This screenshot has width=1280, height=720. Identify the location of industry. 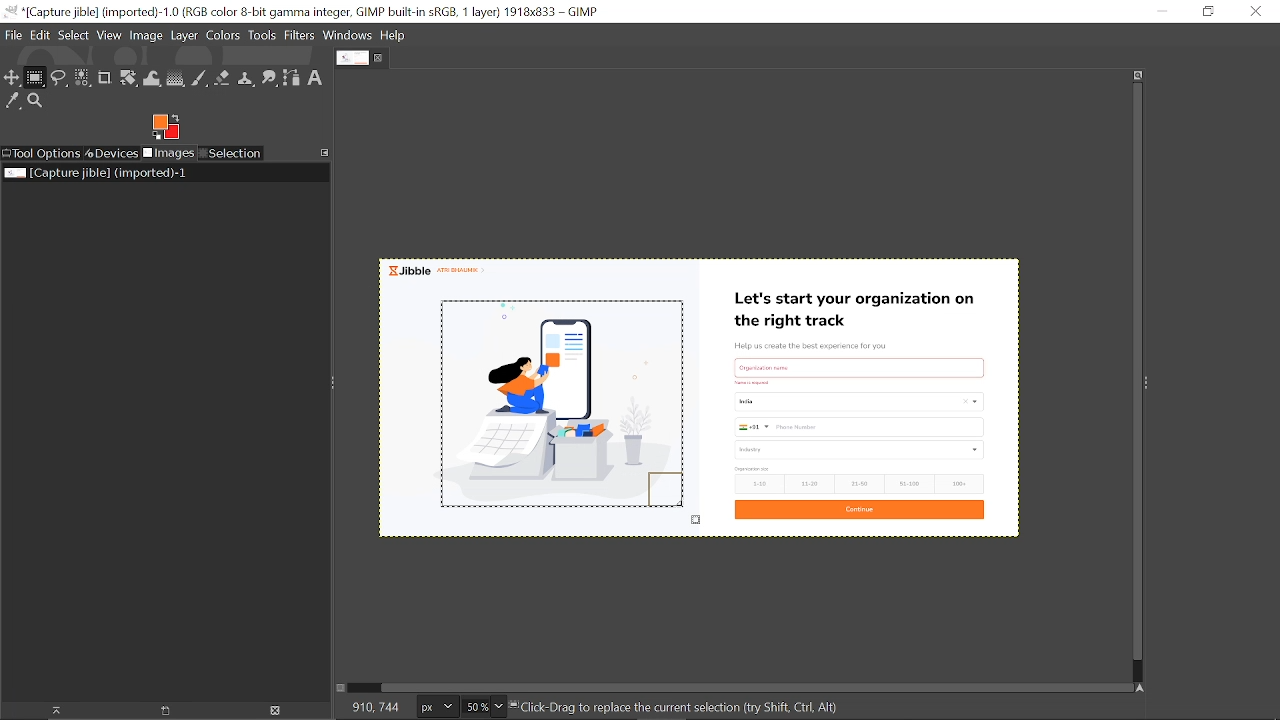
(861, 450).